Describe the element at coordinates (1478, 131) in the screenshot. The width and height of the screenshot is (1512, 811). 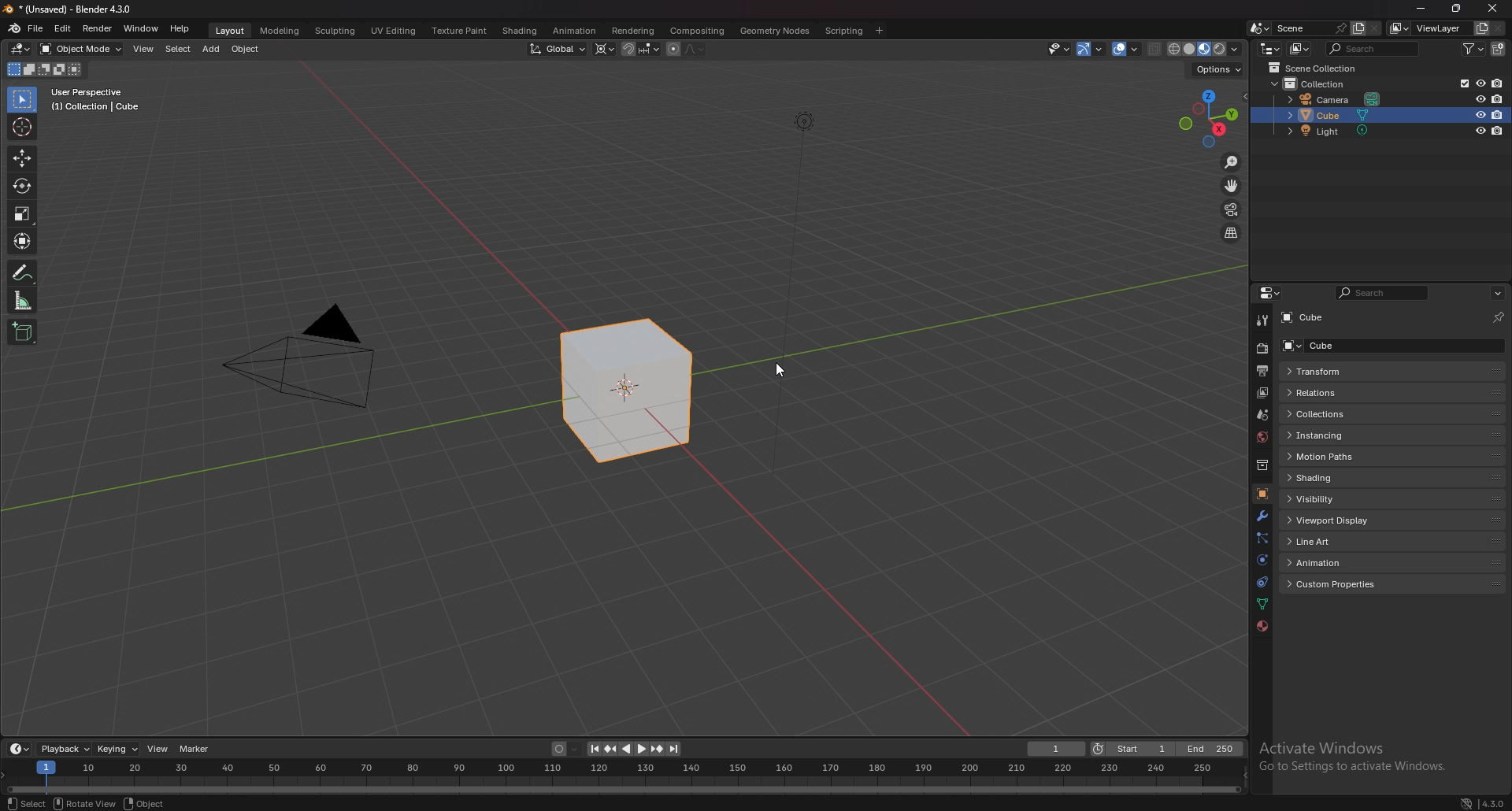
I see `hide in viewport` at that location.